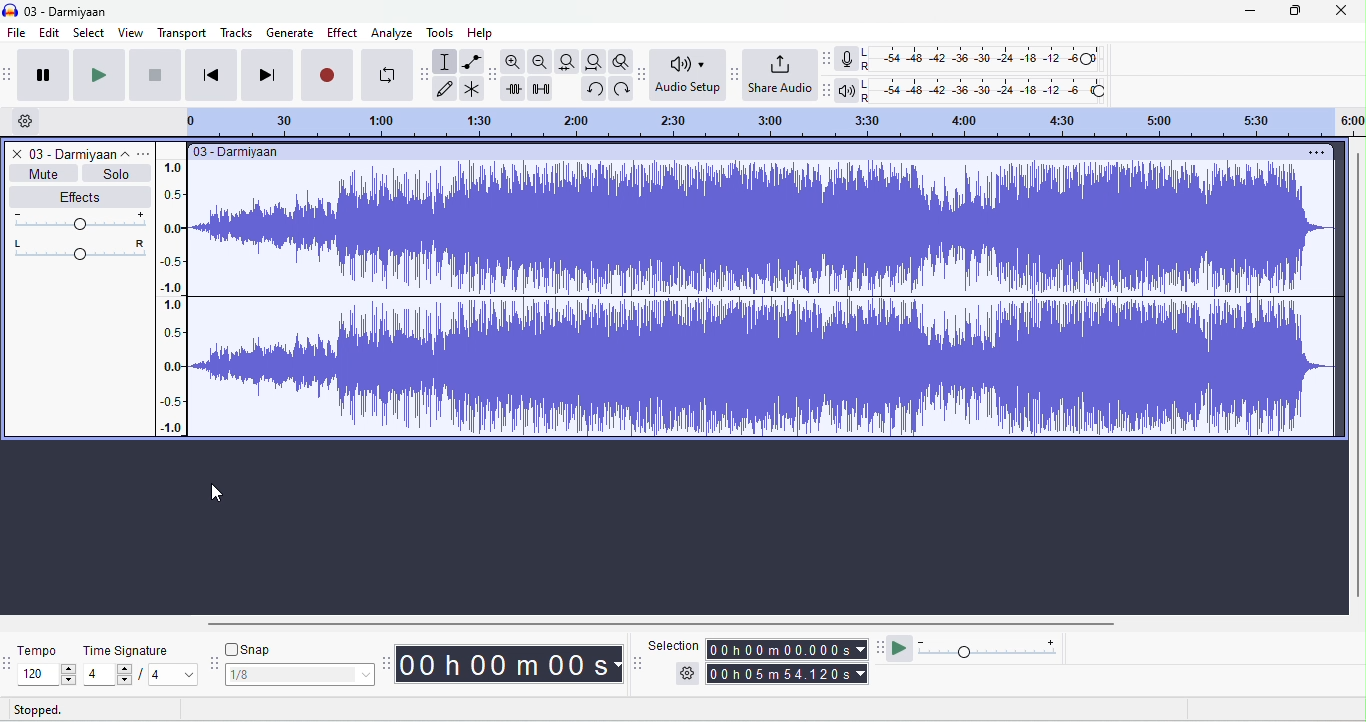 Image resolution: width=1366 pixels, height=722 pixels. What do you see at coordinates (58, 10) in the screenshot?
I see `title` at bounding box center [58, 10].